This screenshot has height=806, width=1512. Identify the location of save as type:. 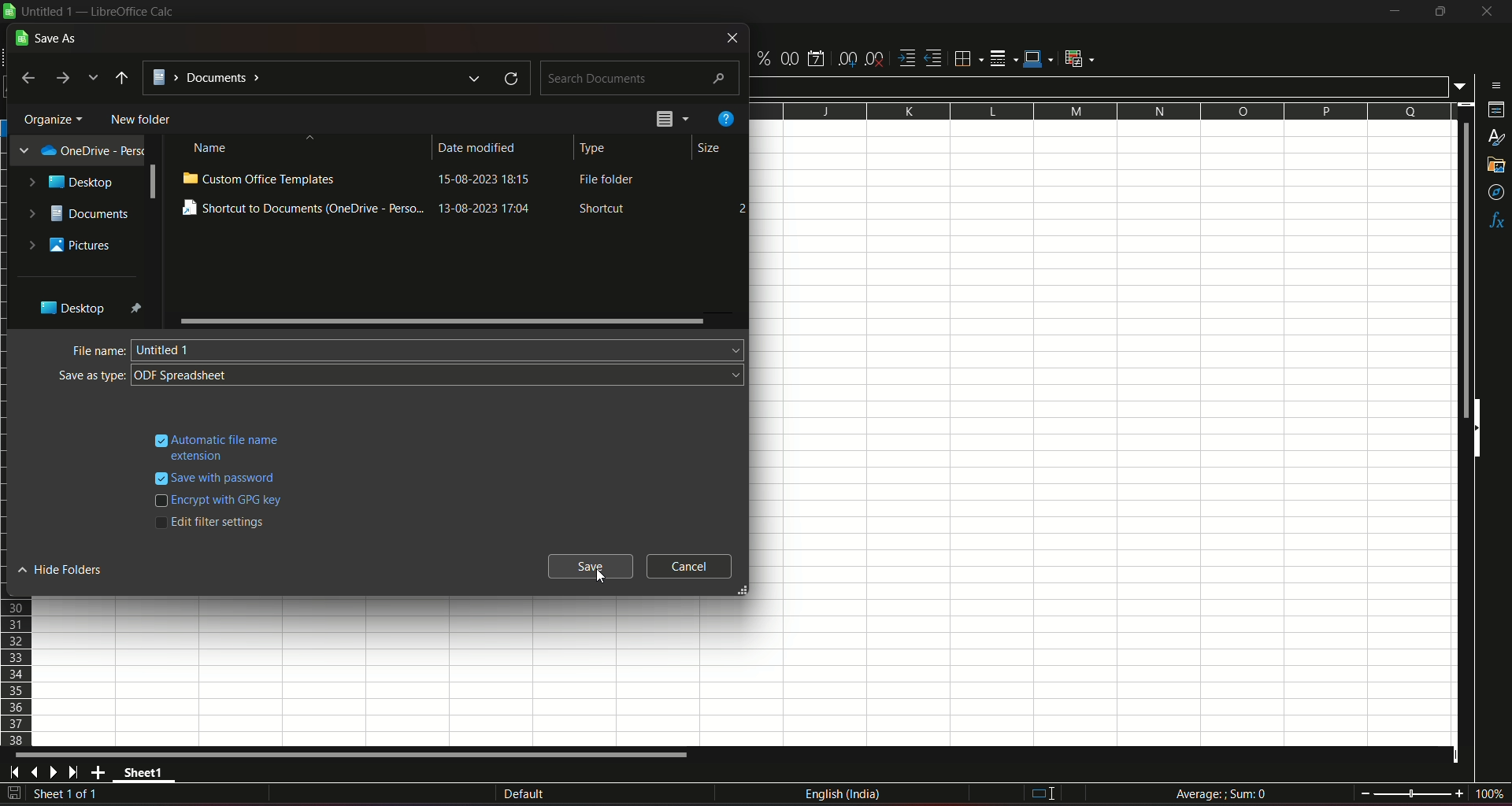
(91, 376).